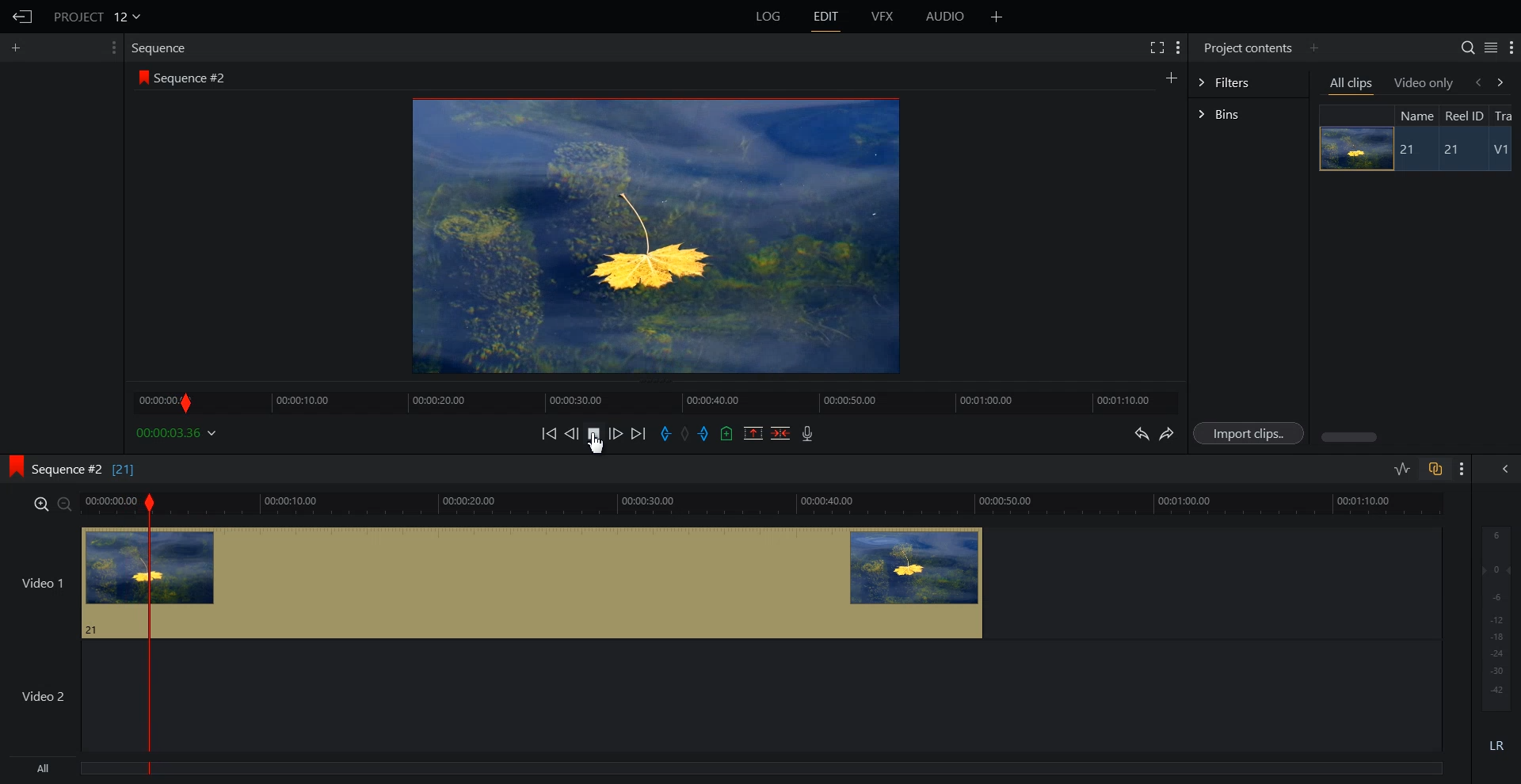  Describe the element at coordinates (1351, 148) in the screenshot. I see `Image` at that location.